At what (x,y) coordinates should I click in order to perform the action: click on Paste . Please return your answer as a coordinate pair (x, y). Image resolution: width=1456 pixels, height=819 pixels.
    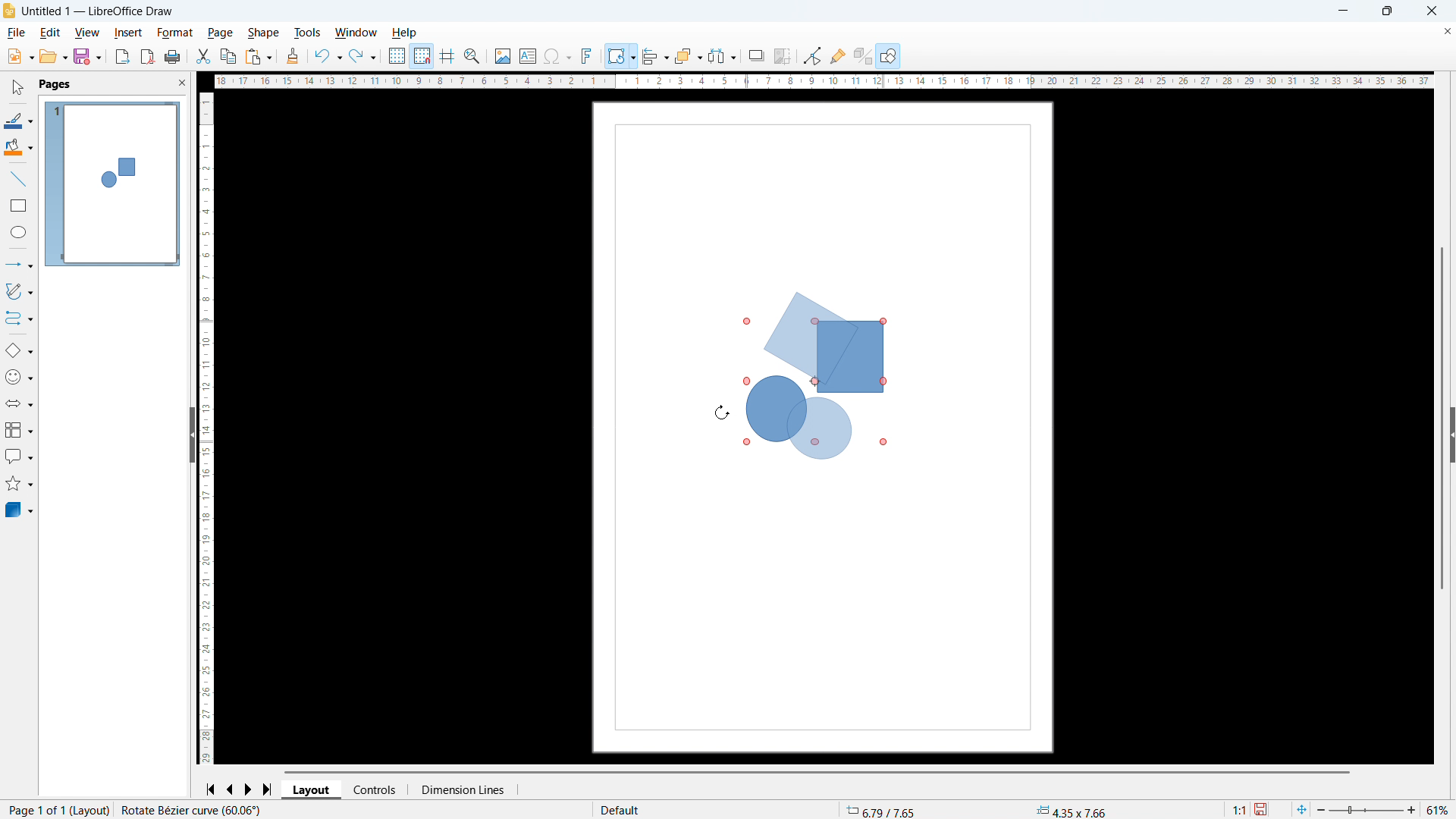
    Looking at the image, I should click on (259, 56).